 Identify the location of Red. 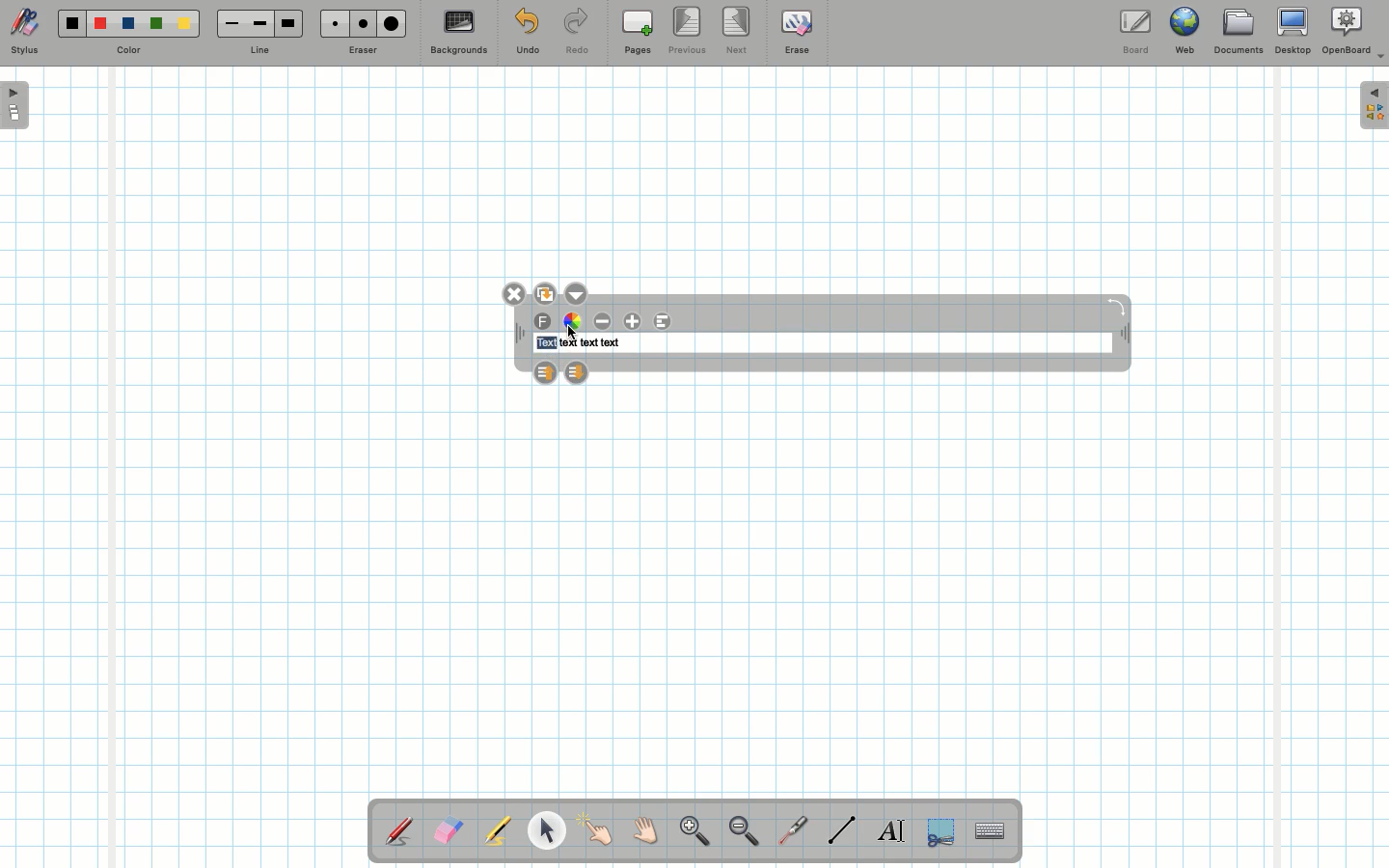
(101, 24).